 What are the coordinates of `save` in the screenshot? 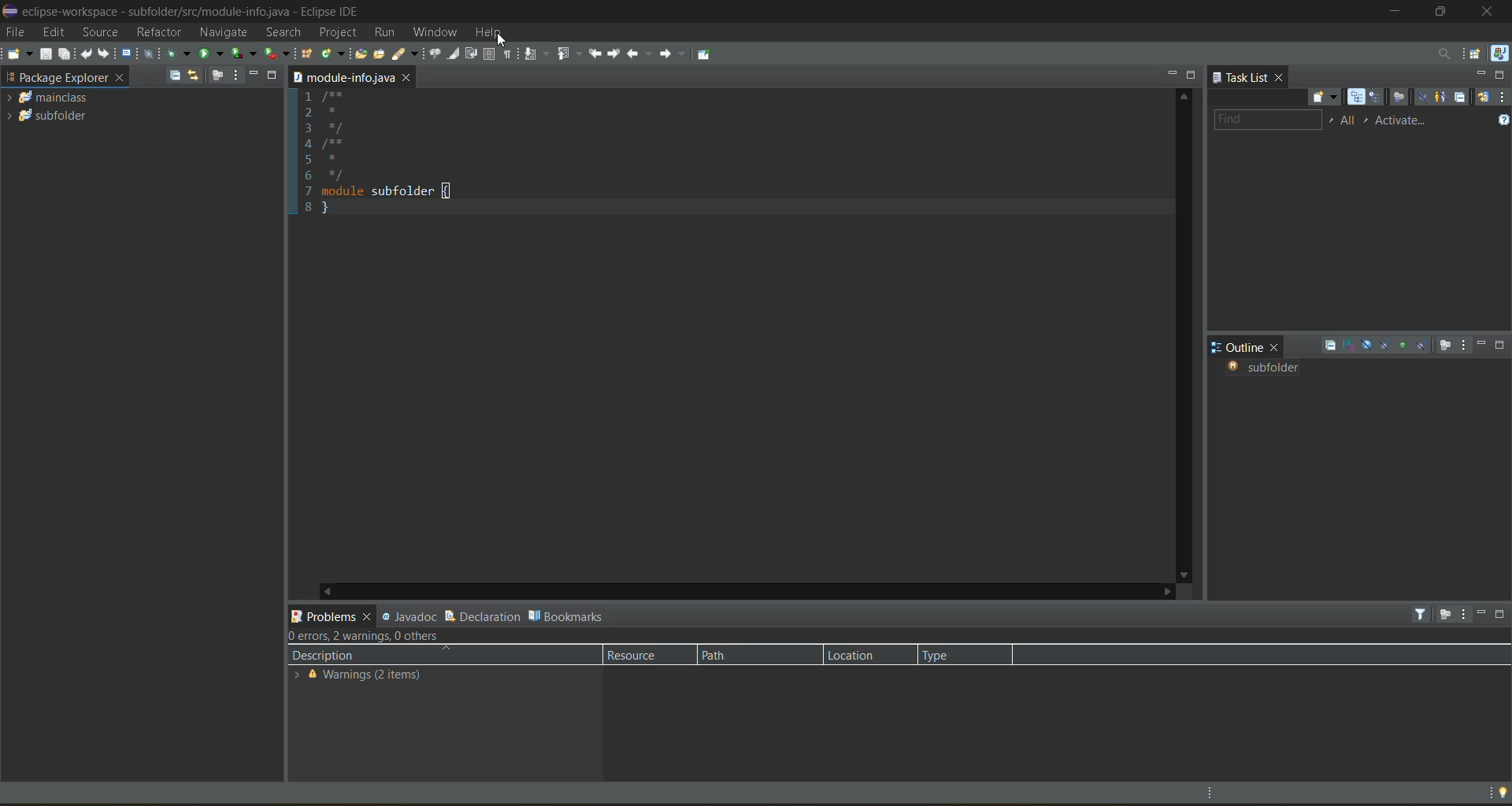 It's located at (47, 54).